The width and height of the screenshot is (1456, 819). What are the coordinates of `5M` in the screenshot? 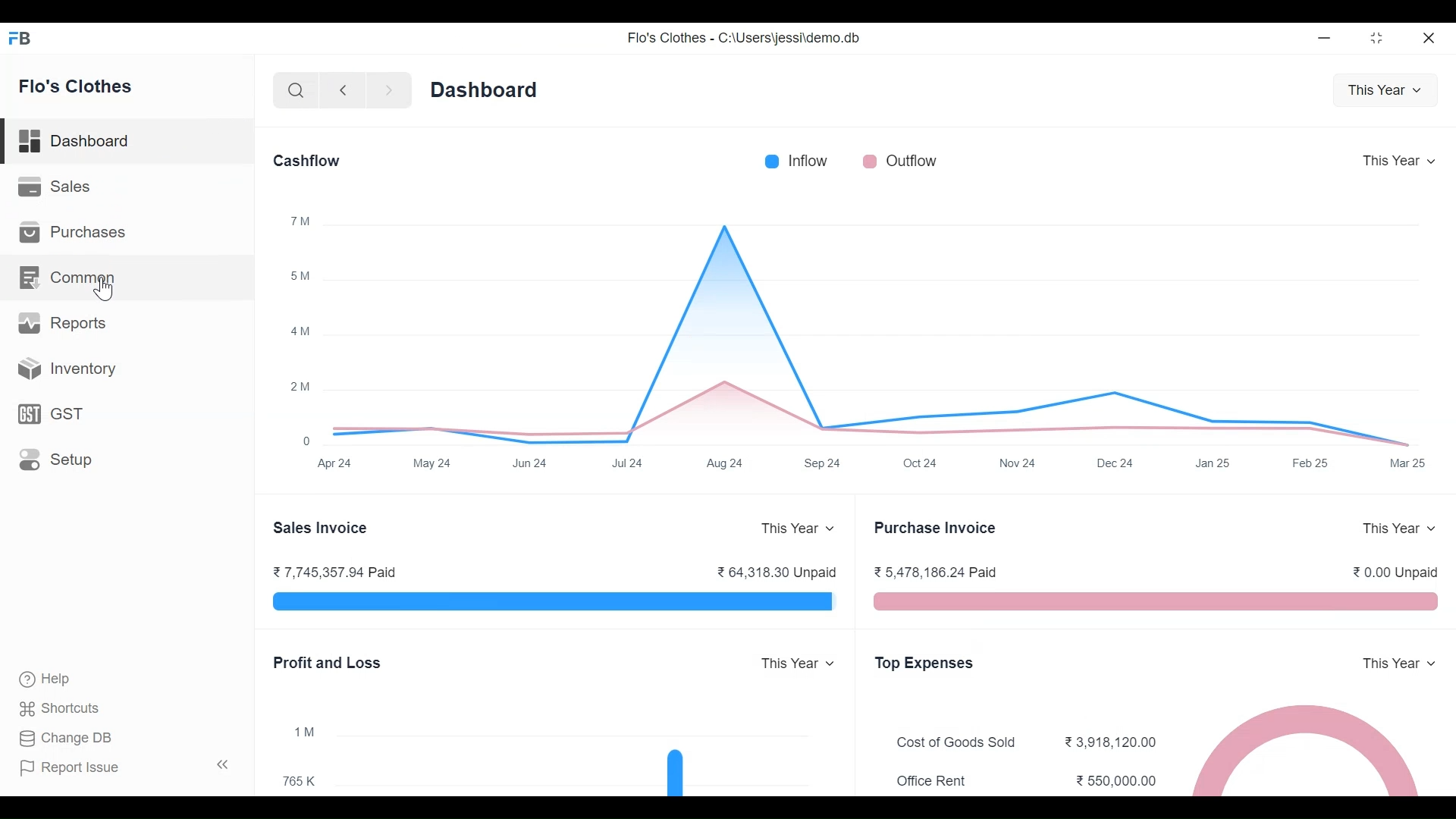 It's located at (300, 275).